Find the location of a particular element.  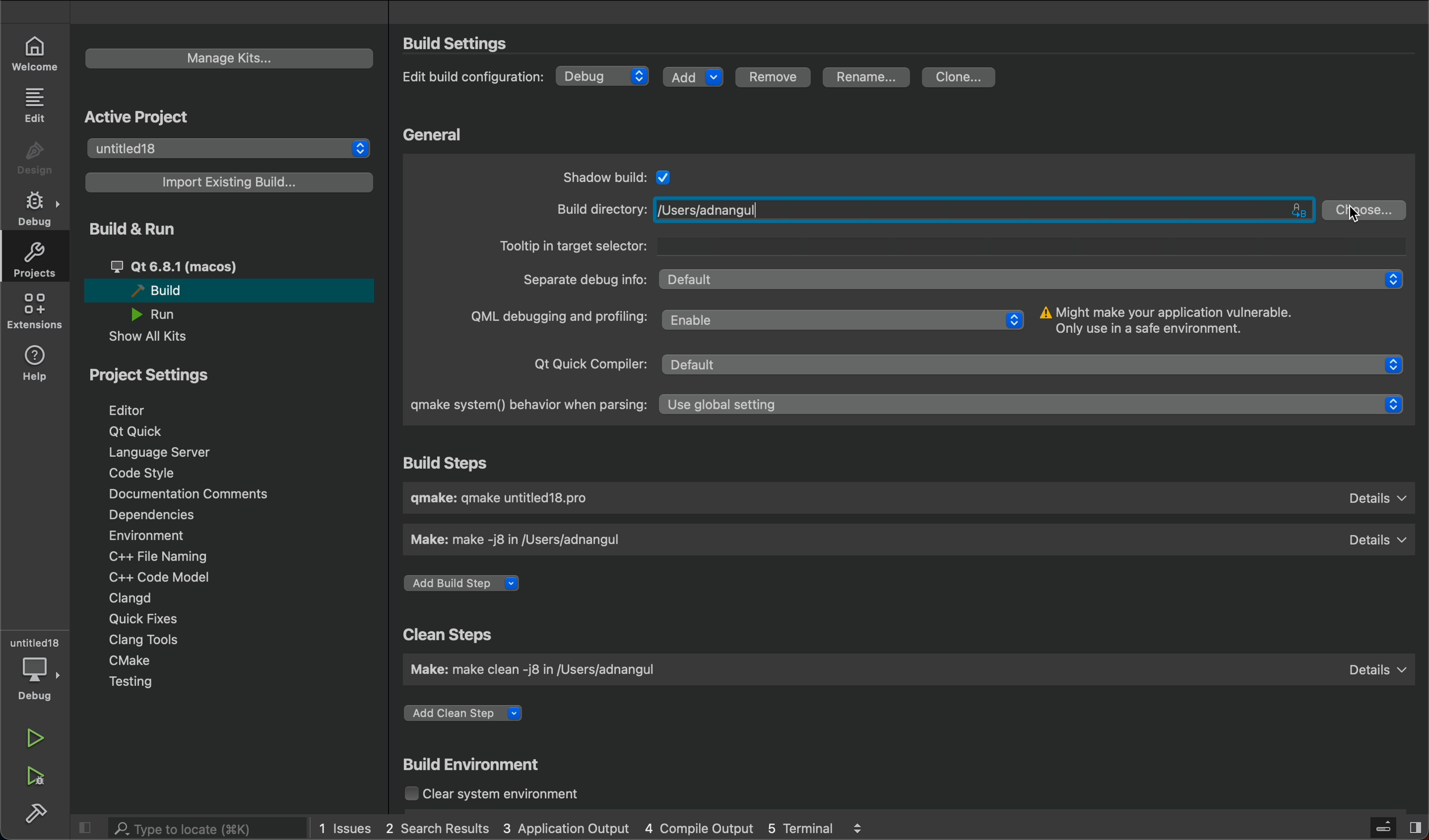

qt 6.8.1 (macos) is located at coordinates (209, 265).